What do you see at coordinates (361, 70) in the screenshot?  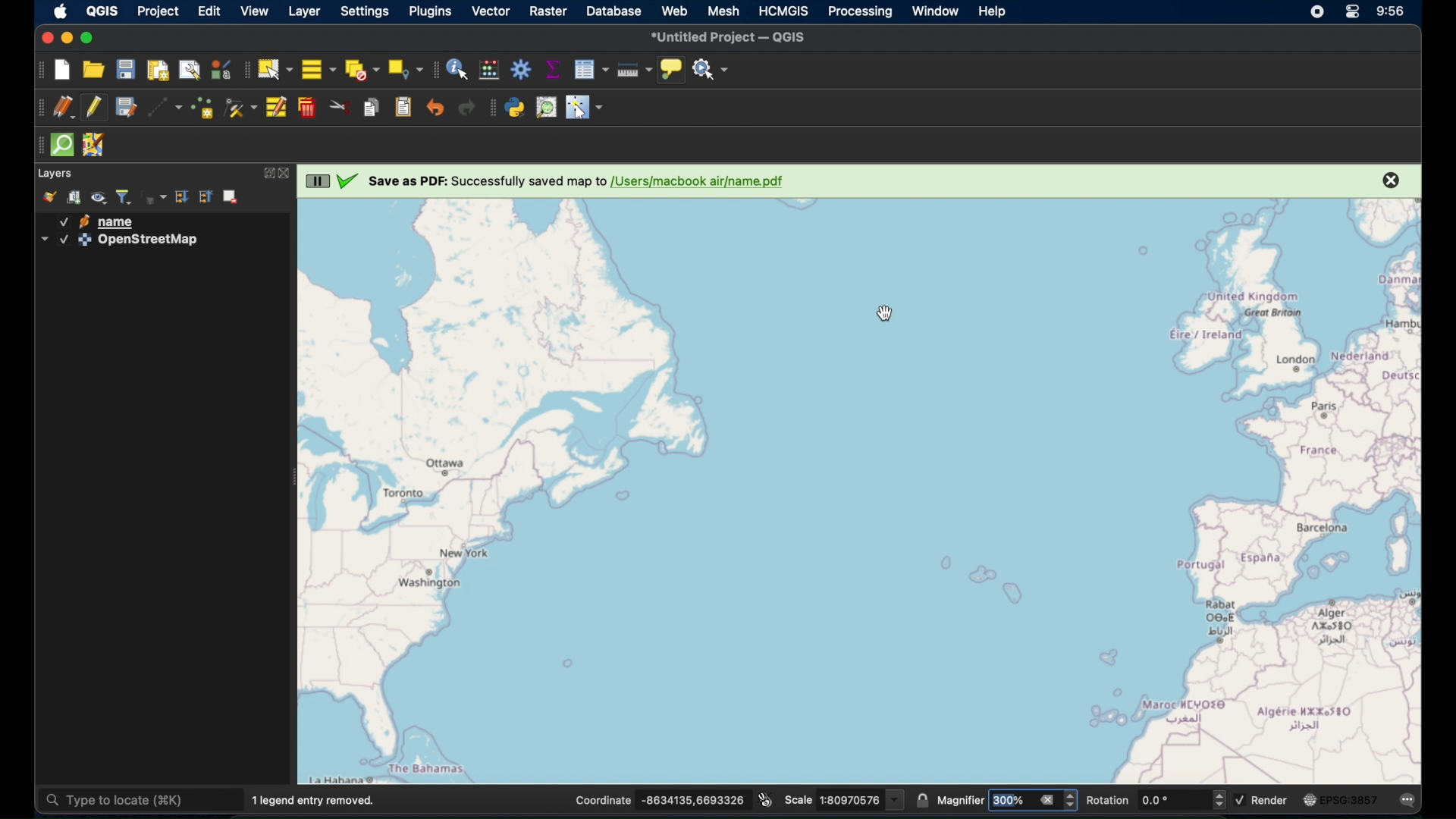 I see `deselect features` at bounding box center [361, 70].